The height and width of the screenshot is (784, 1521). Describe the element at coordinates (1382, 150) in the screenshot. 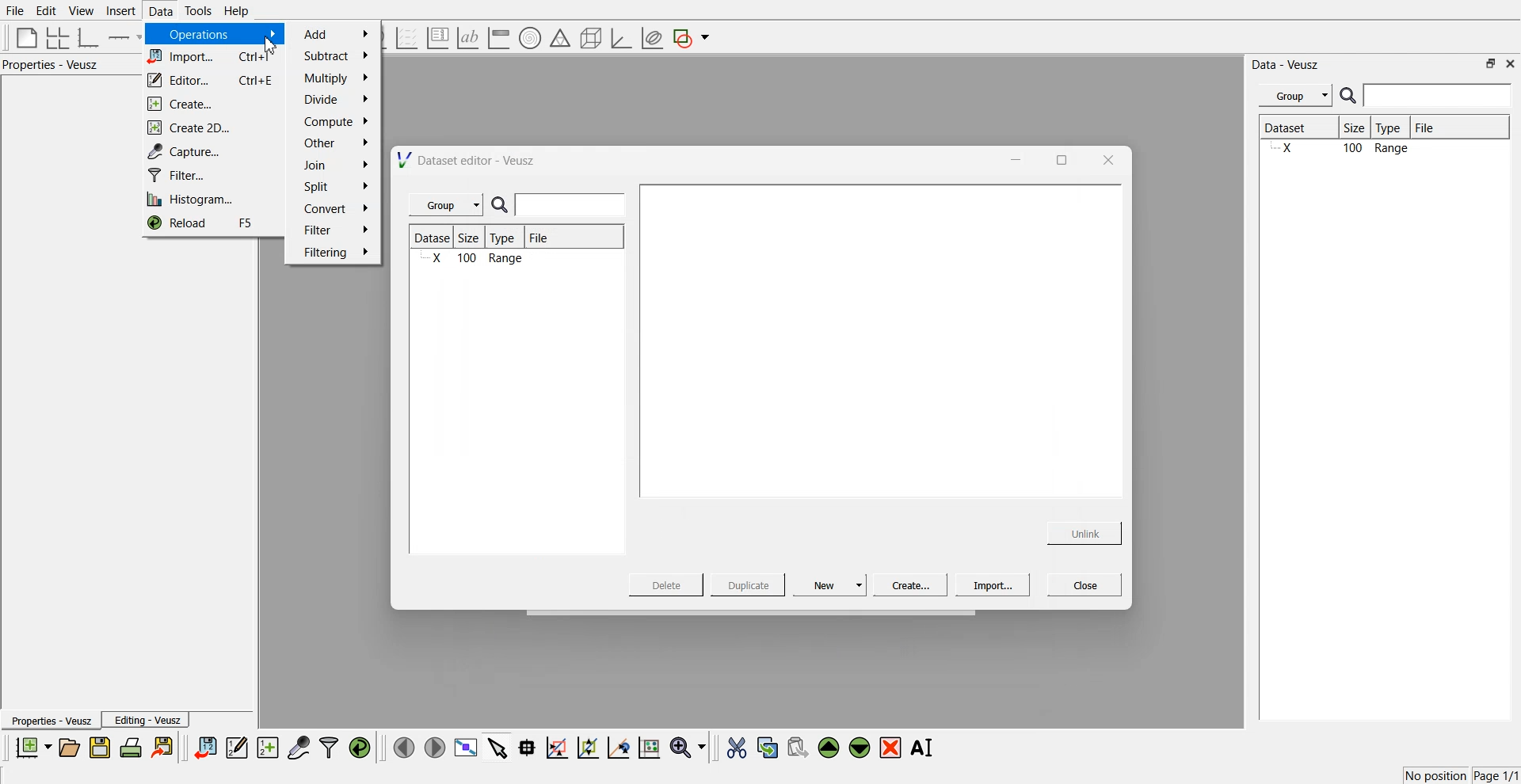

I see `X 100 Range` at that location.